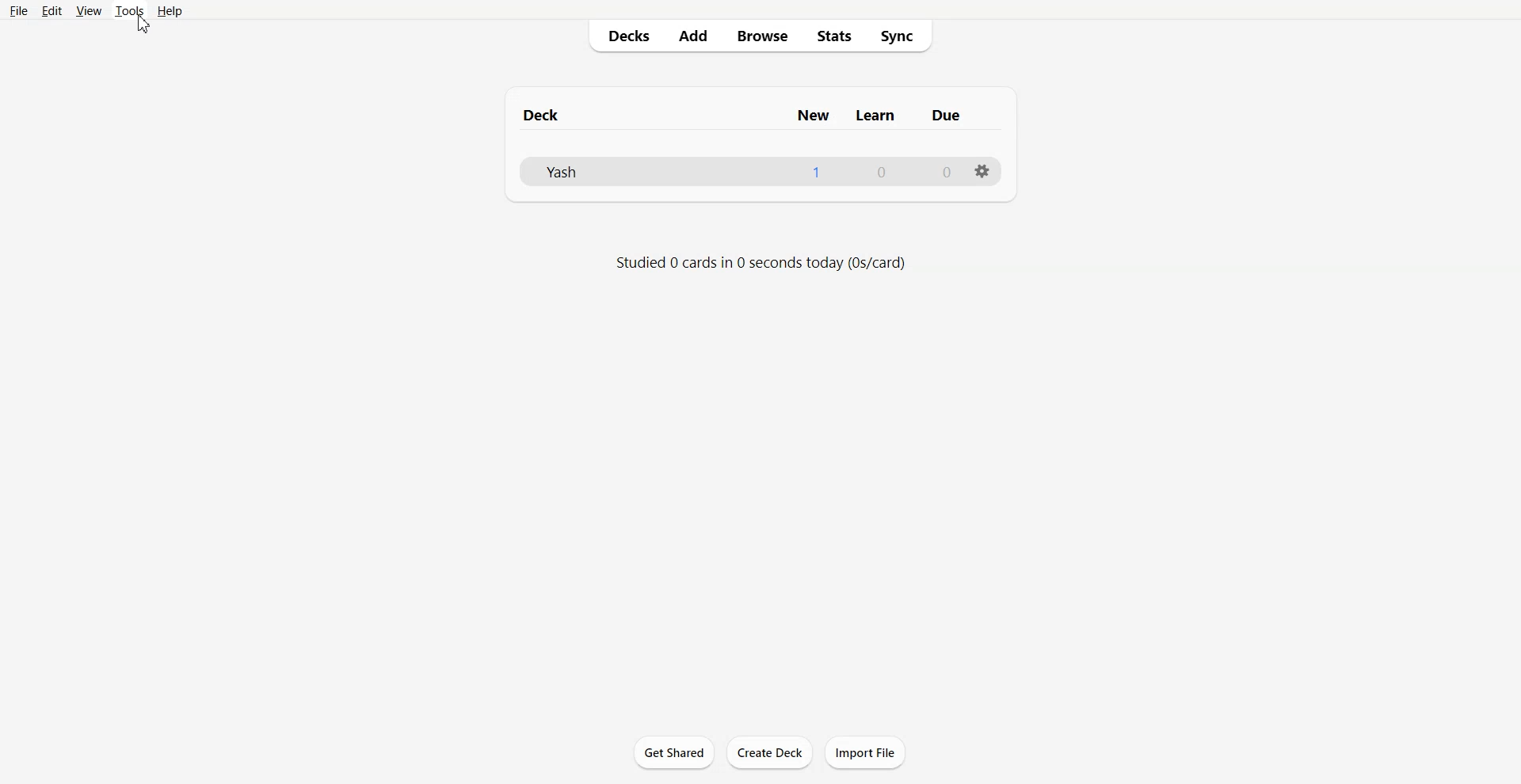 Image resolution: width=1521 pixels, height=784 pixels. What do you see at coordinates (882, 171) in the screenshot?
I see `0` at bounding box center [882, 171].